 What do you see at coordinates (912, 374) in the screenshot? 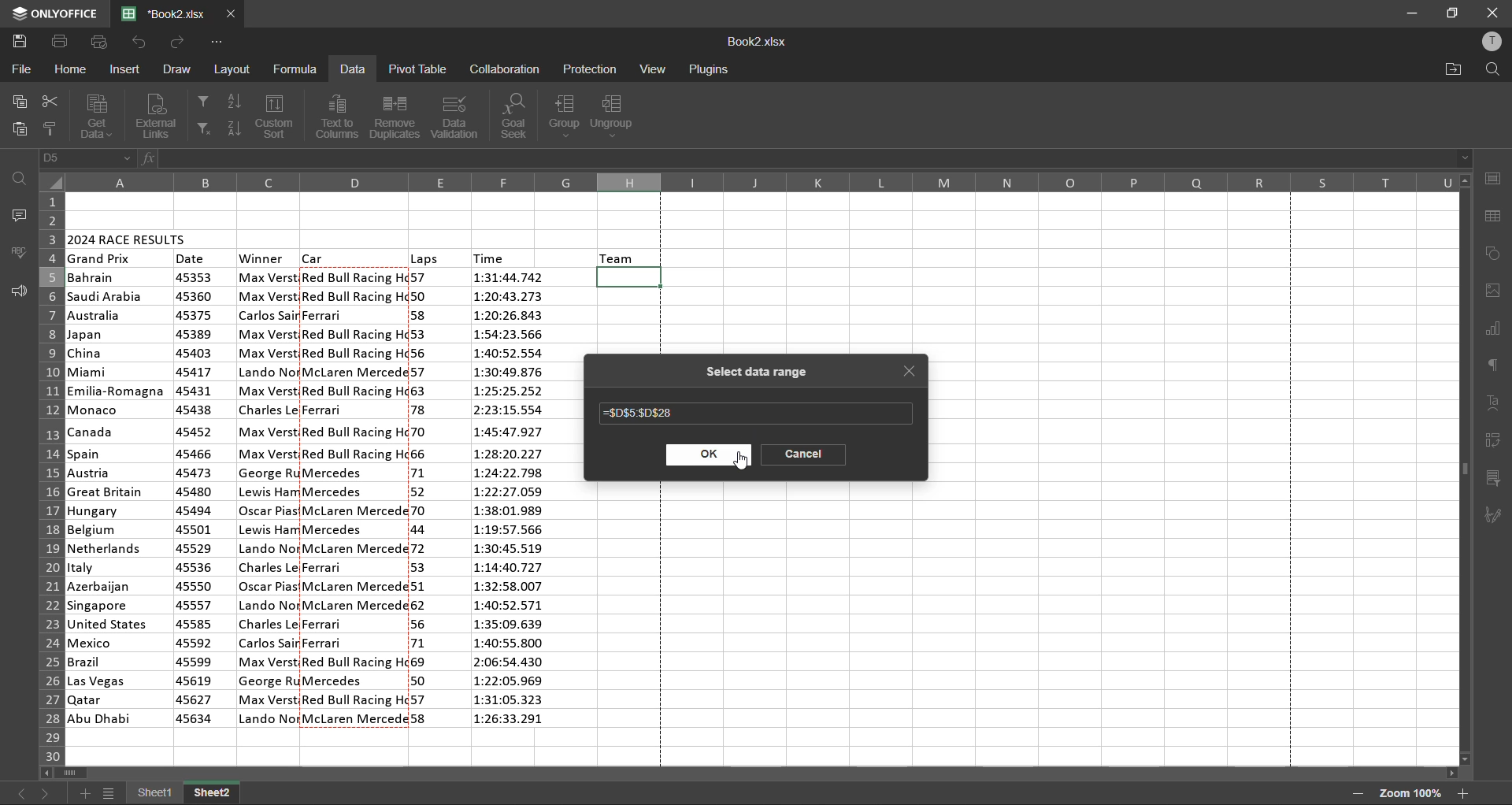
I see `close tab` at bounding box center [912, 374].